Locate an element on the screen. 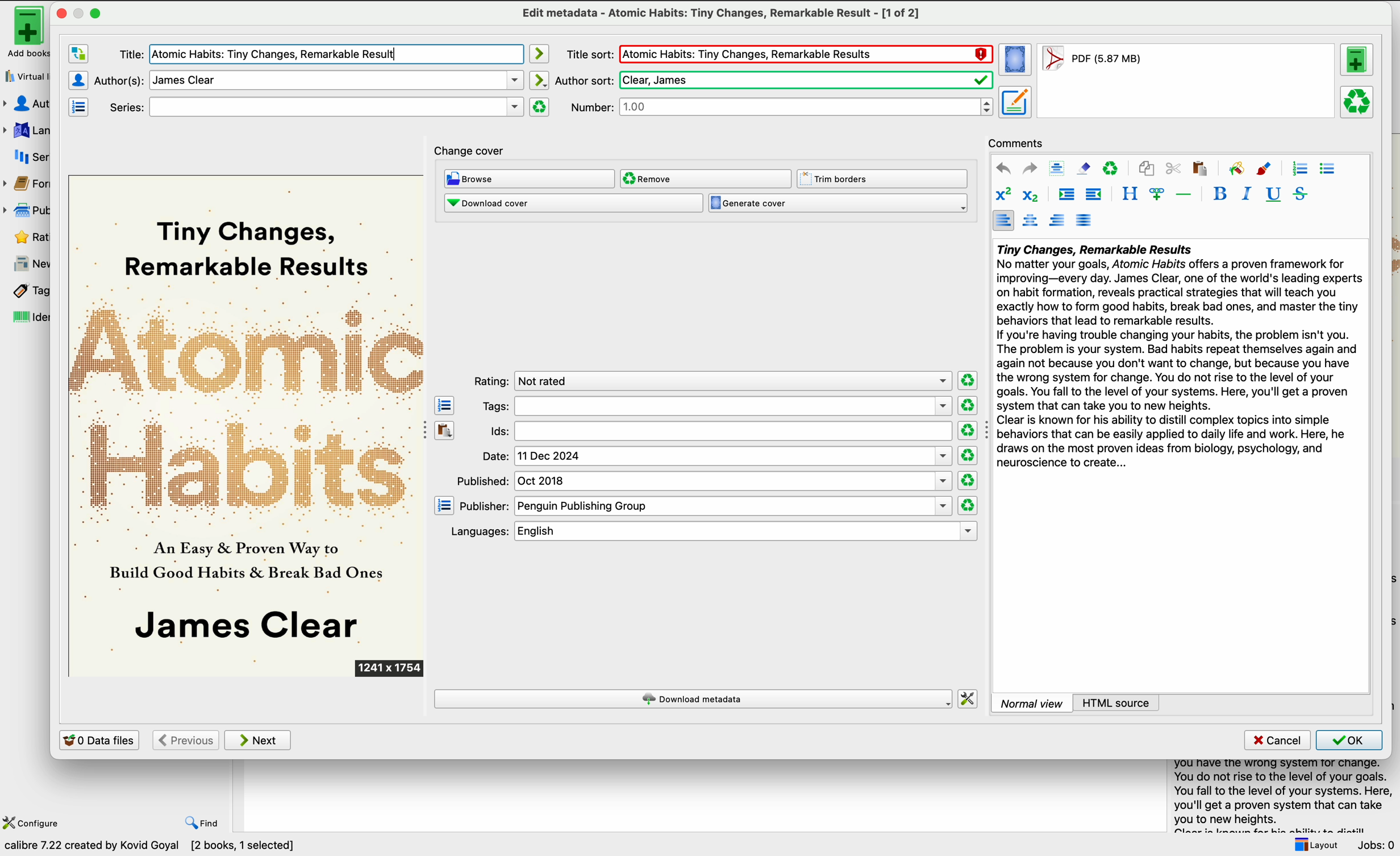  add a format to this book is located at coordinates (1359, 62).